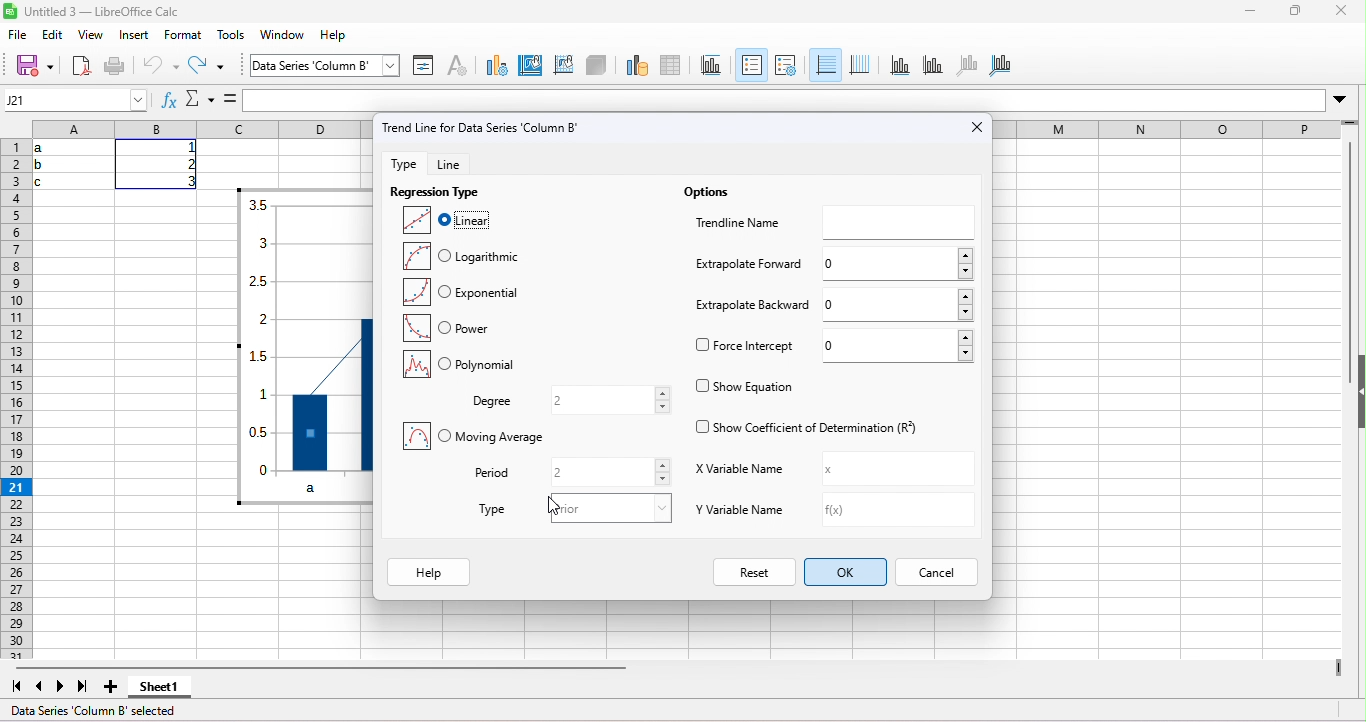  What do you see at coordinates (488, 512) in the screenshot?
I see `type` at bounding box center [488, 512].